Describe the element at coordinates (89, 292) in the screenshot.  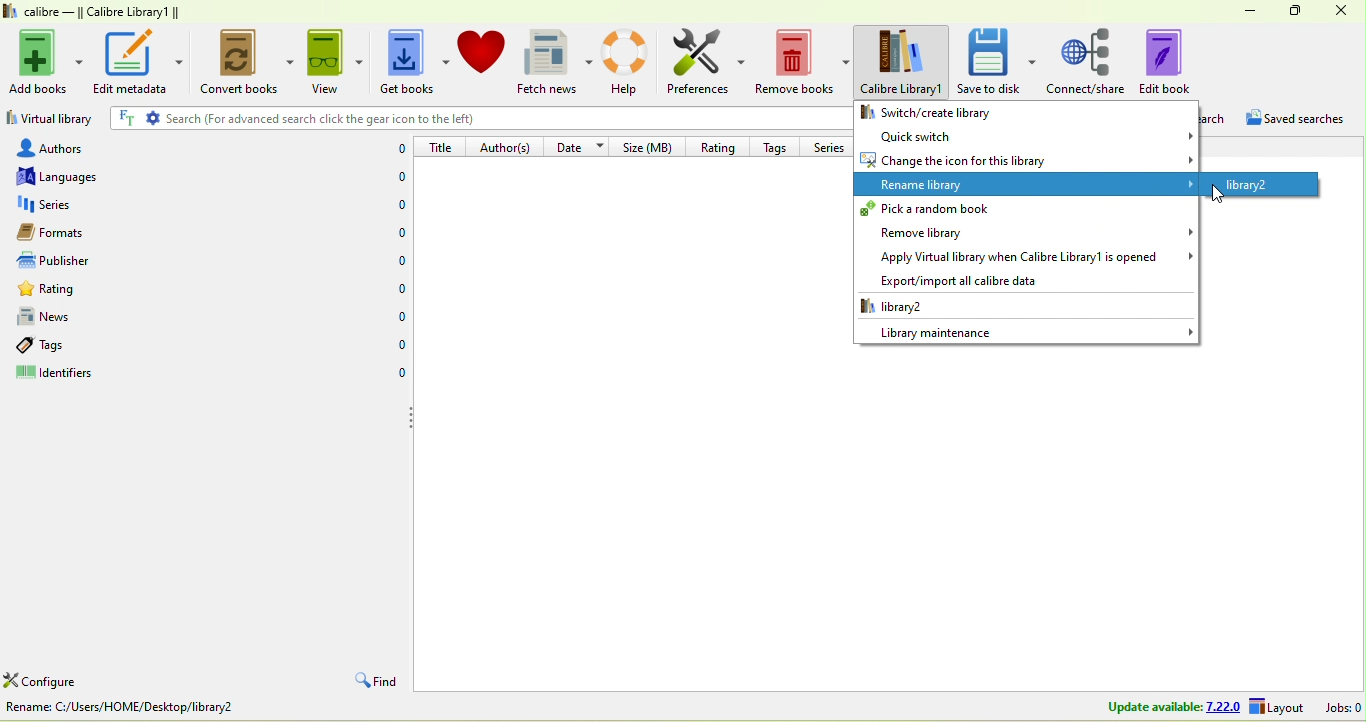
I see `rating` at that location.